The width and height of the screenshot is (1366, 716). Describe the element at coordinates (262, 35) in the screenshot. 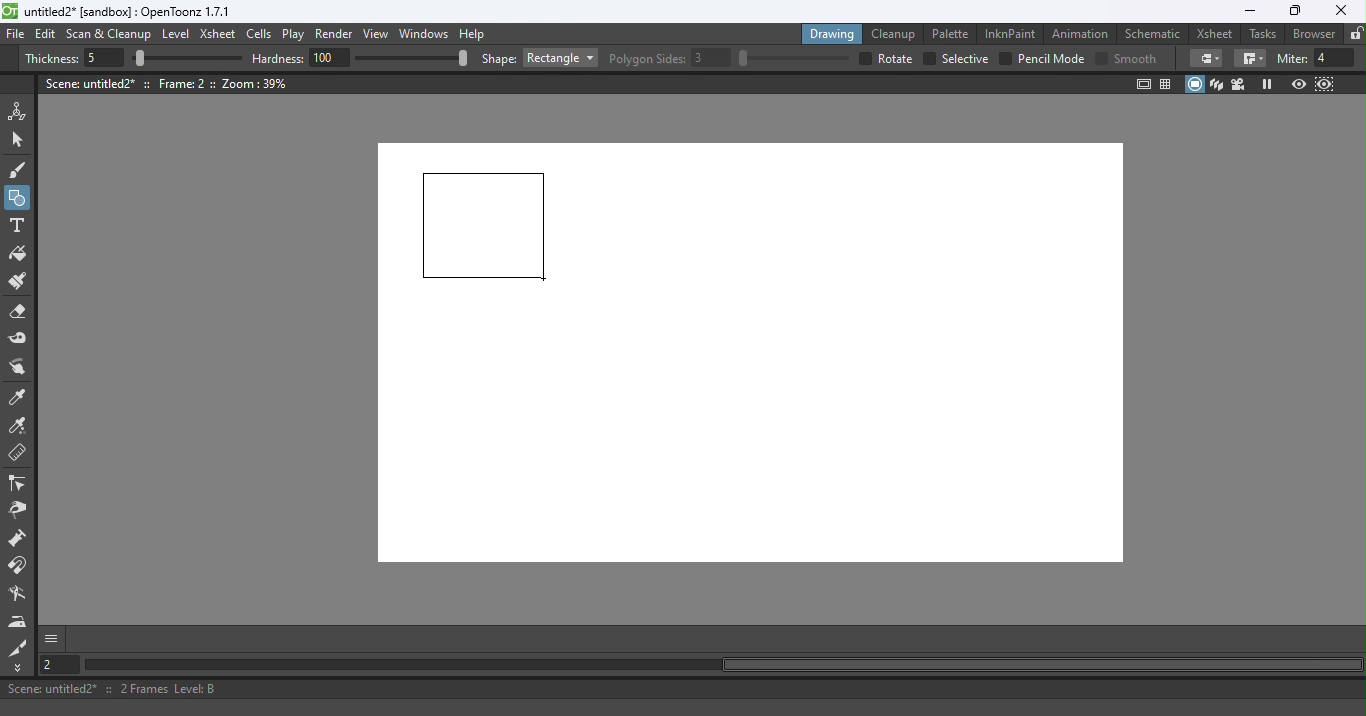

I see `Cells` at that location.